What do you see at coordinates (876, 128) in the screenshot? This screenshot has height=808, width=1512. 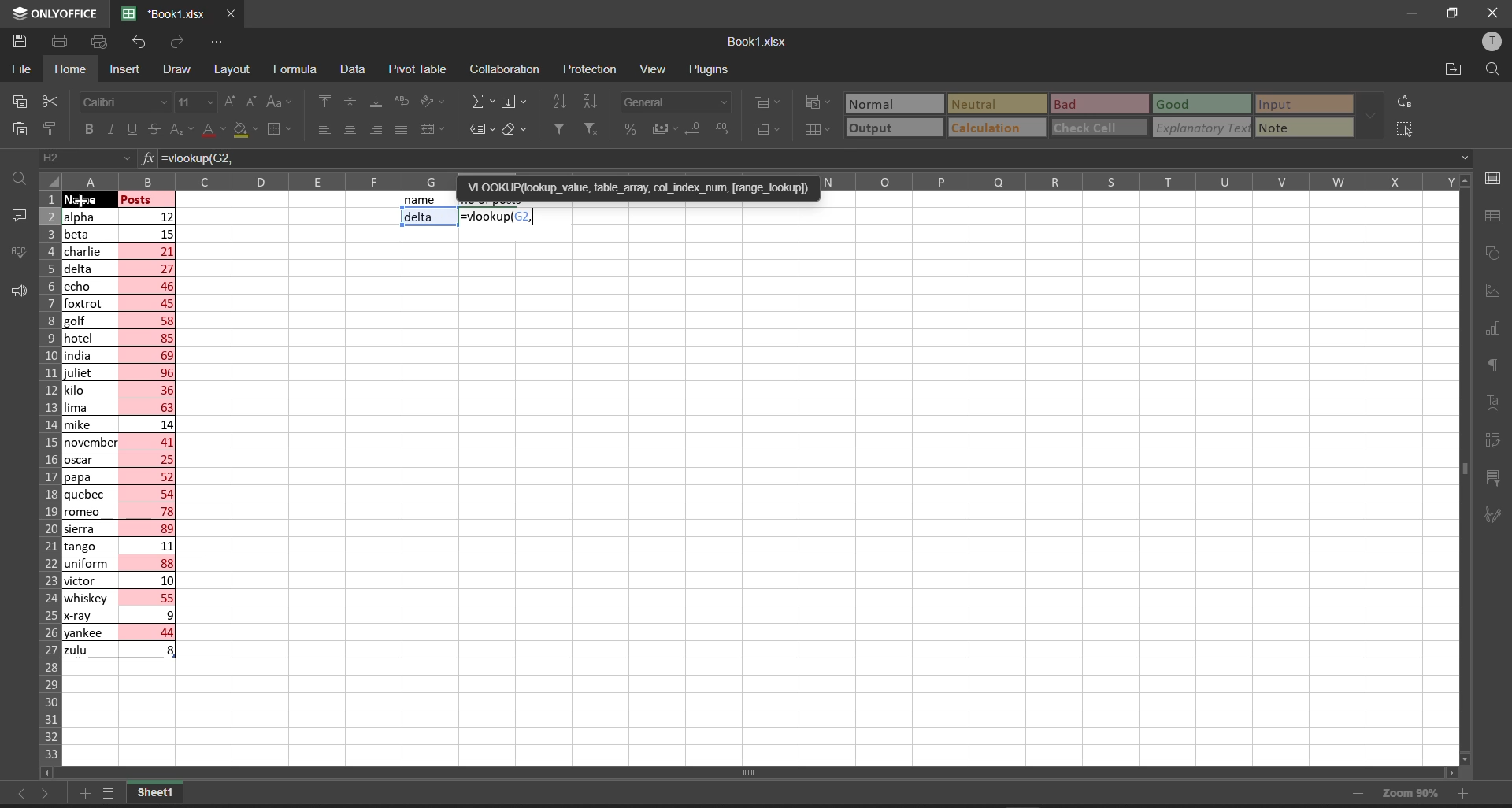 I see `output` at bounding box center [876, 128].